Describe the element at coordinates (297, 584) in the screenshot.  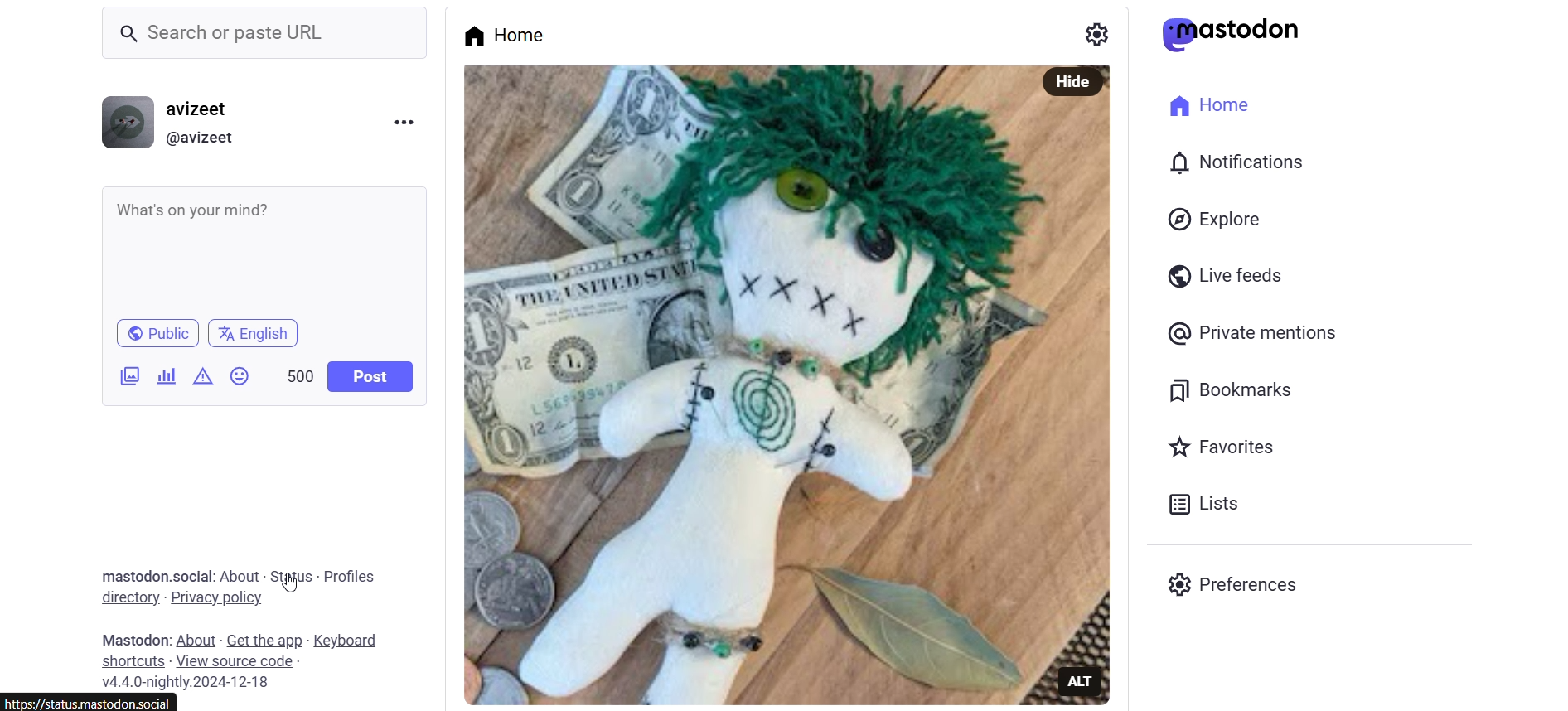
I see `cursor` at that location.